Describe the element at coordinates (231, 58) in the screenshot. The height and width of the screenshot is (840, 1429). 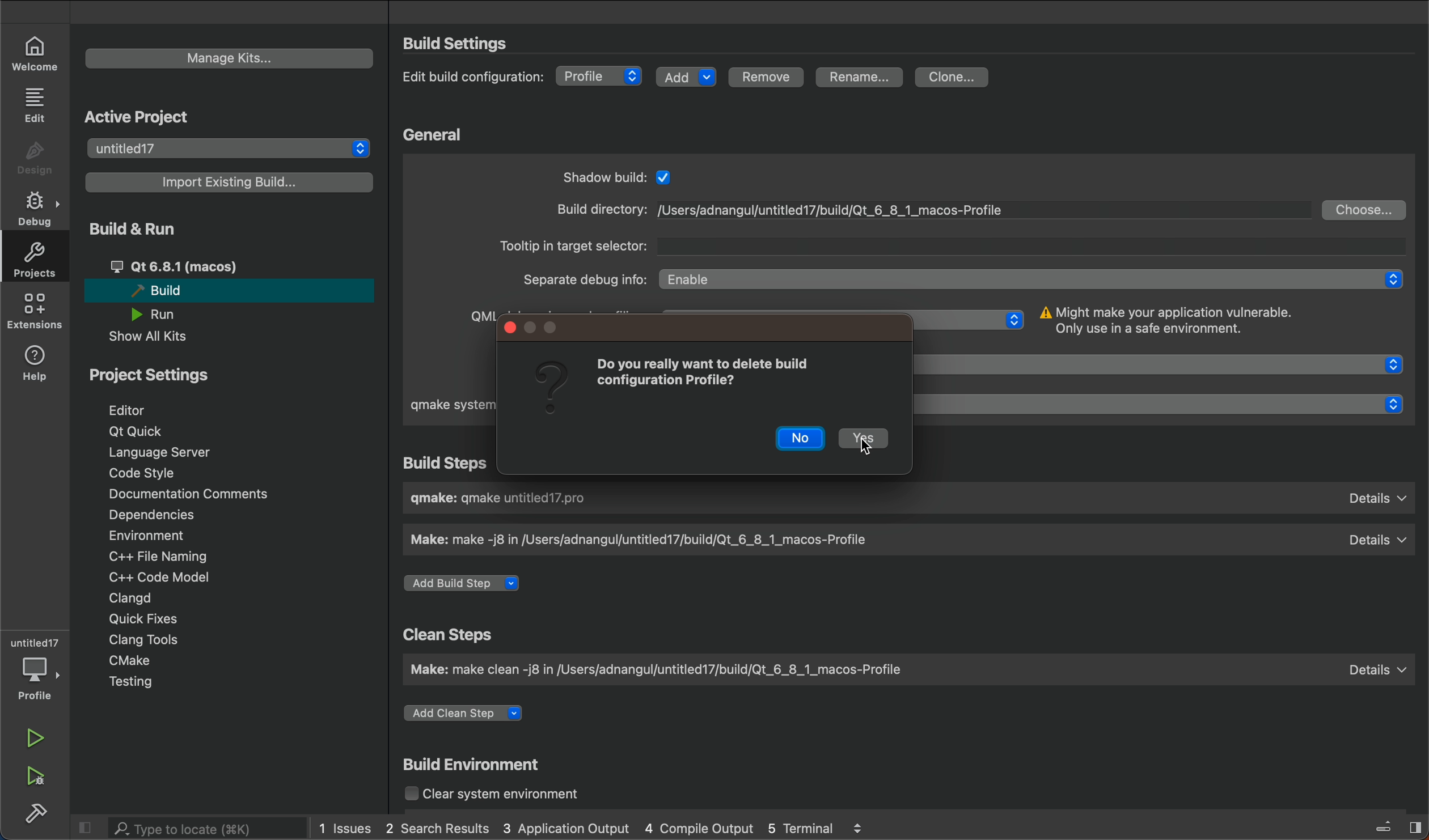
I see `manage kits` at that location.